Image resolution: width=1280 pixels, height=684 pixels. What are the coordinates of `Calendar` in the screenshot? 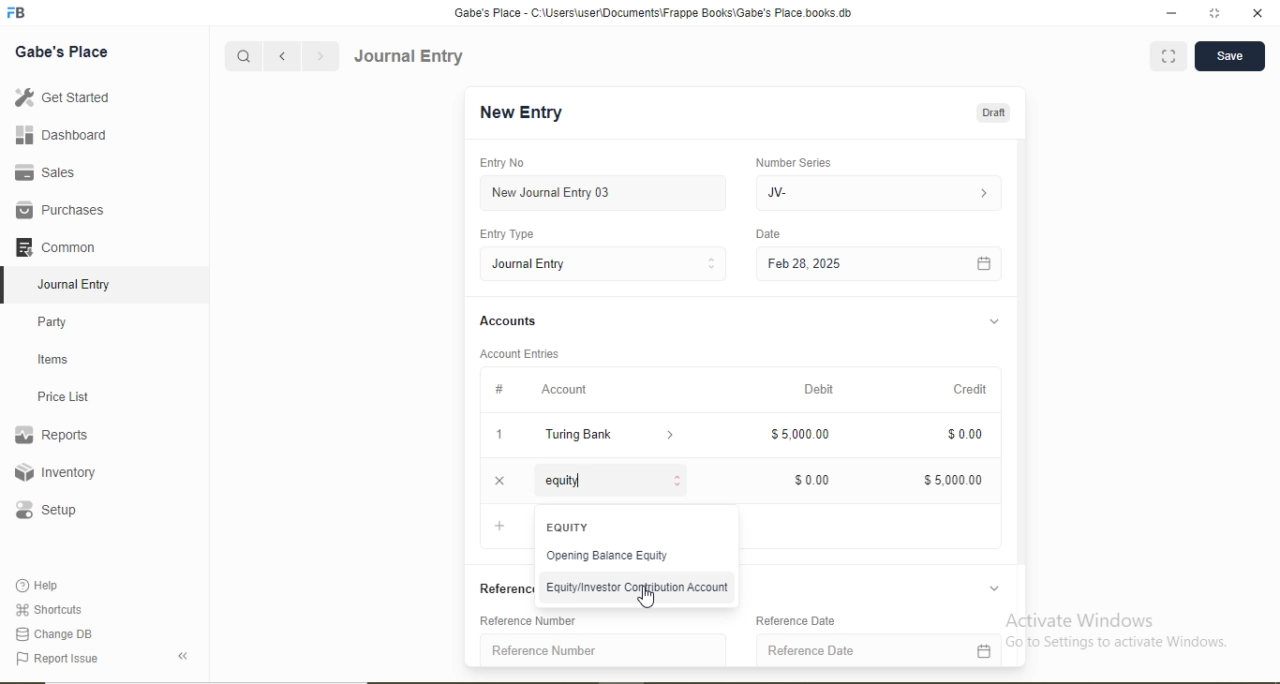 It's located at (983, 651).